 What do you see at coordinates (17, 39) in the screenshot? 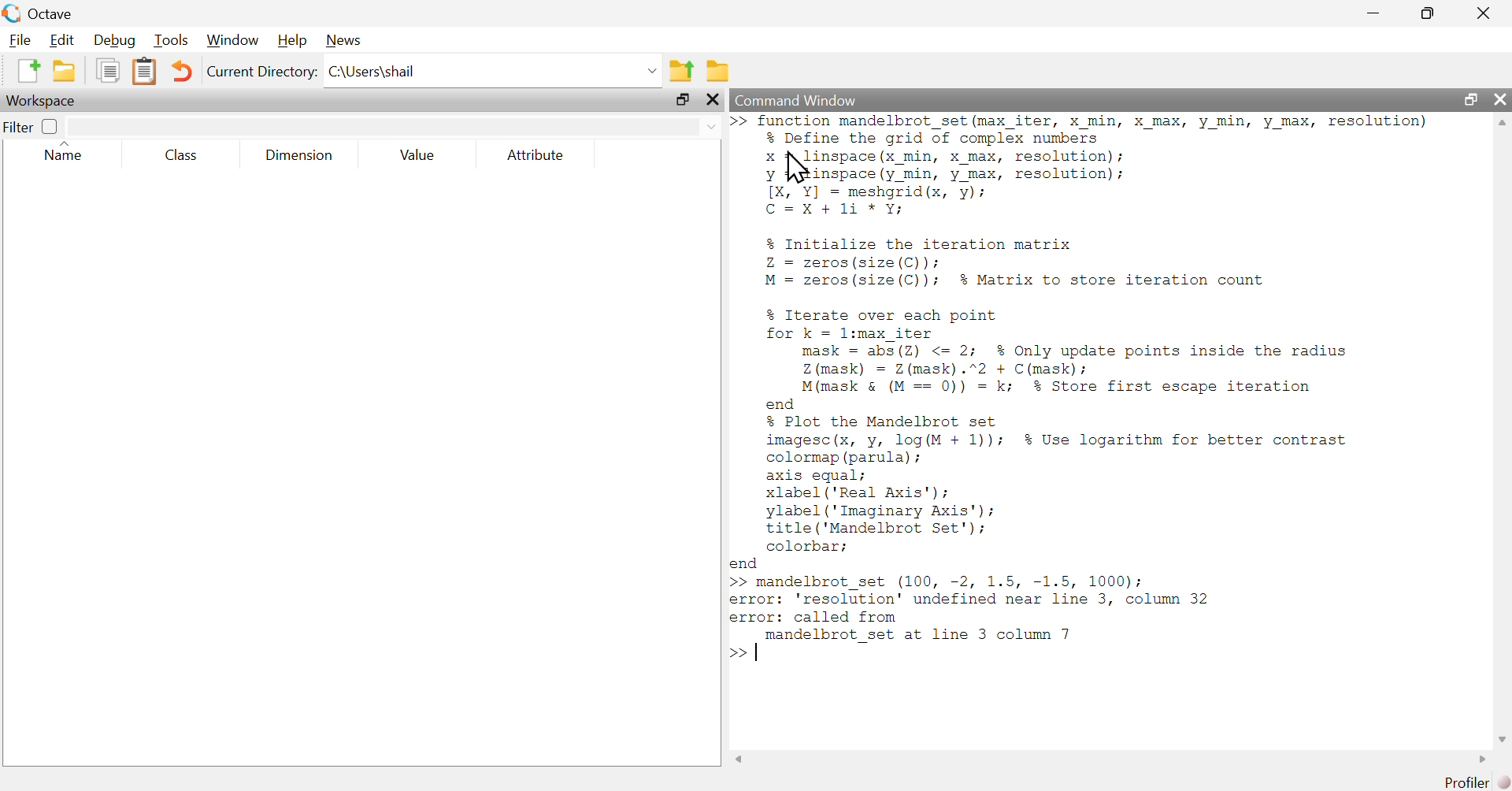
I see `File` at bounding box center [17, 39].